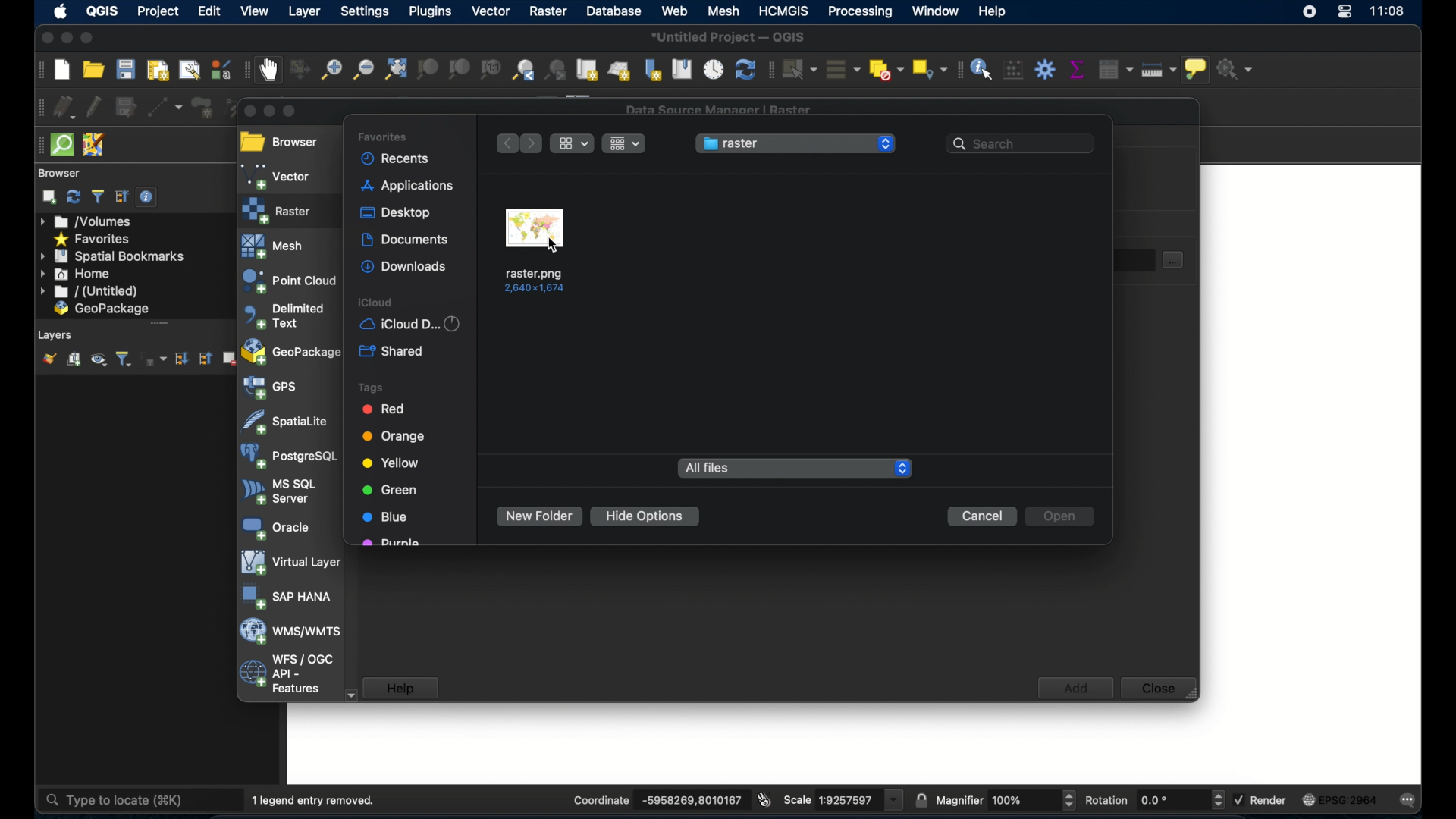 The height and width of the screenshot is (819, 1456). Describe the element at coordinates (645, 514) in the screenshot. I see `hide options` at that location.